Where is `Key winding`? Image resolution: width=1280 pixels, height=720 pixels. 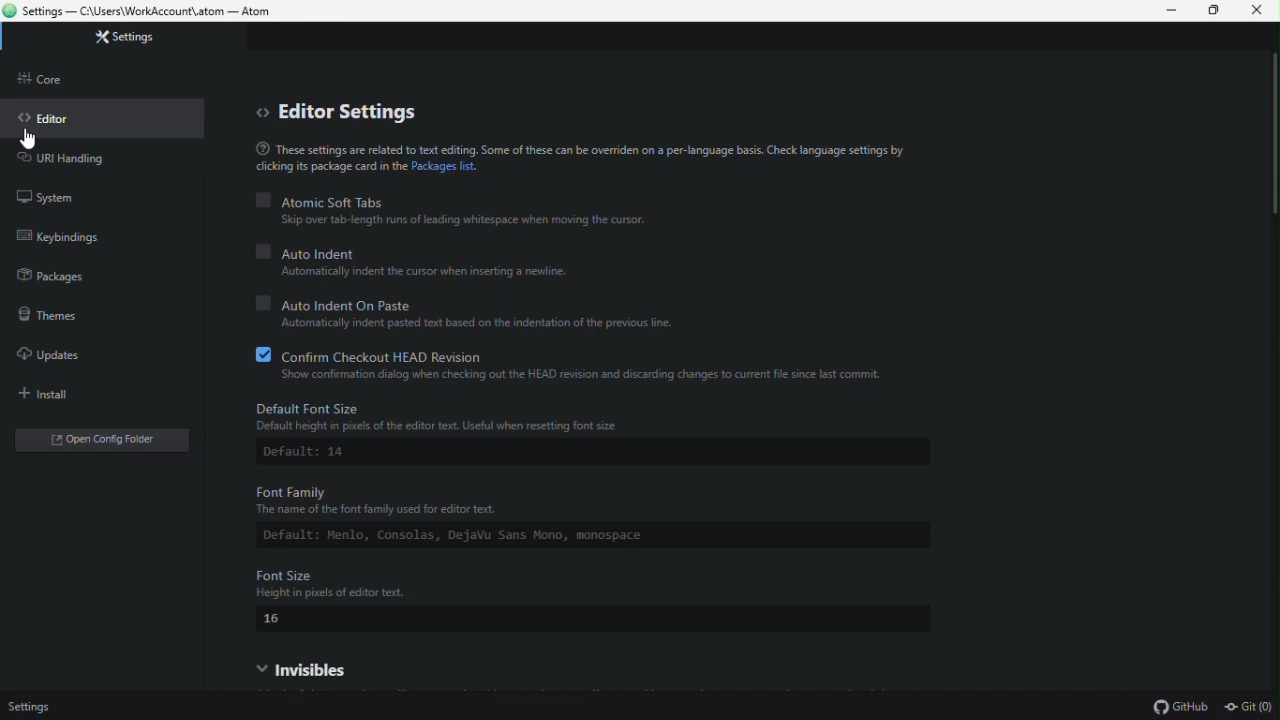 Key winding is located at coordinates (72, 240).